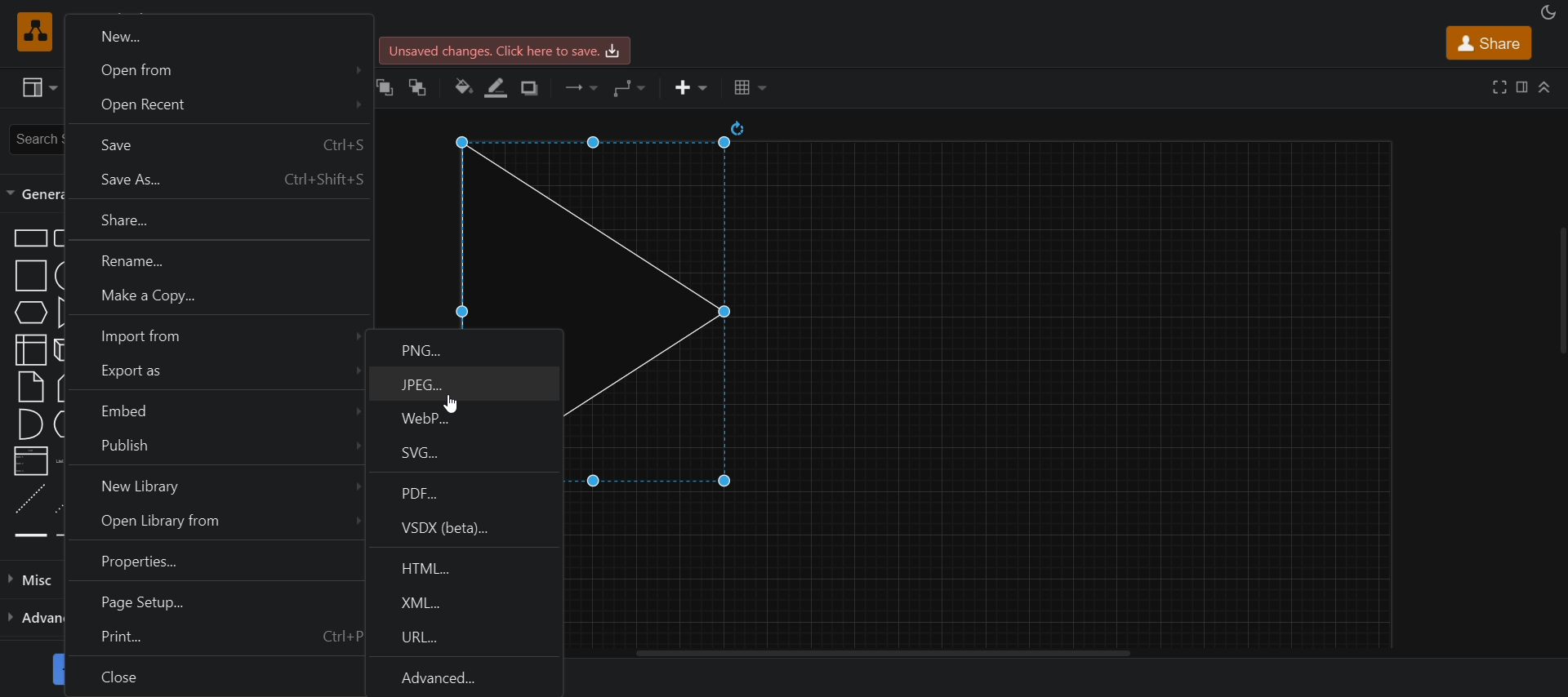 The width and height of the screenshot is (1568, 697). What do you see at coordinates (211, 449) in the screenshot?
I see `publish` at bounding box center [211, 449].